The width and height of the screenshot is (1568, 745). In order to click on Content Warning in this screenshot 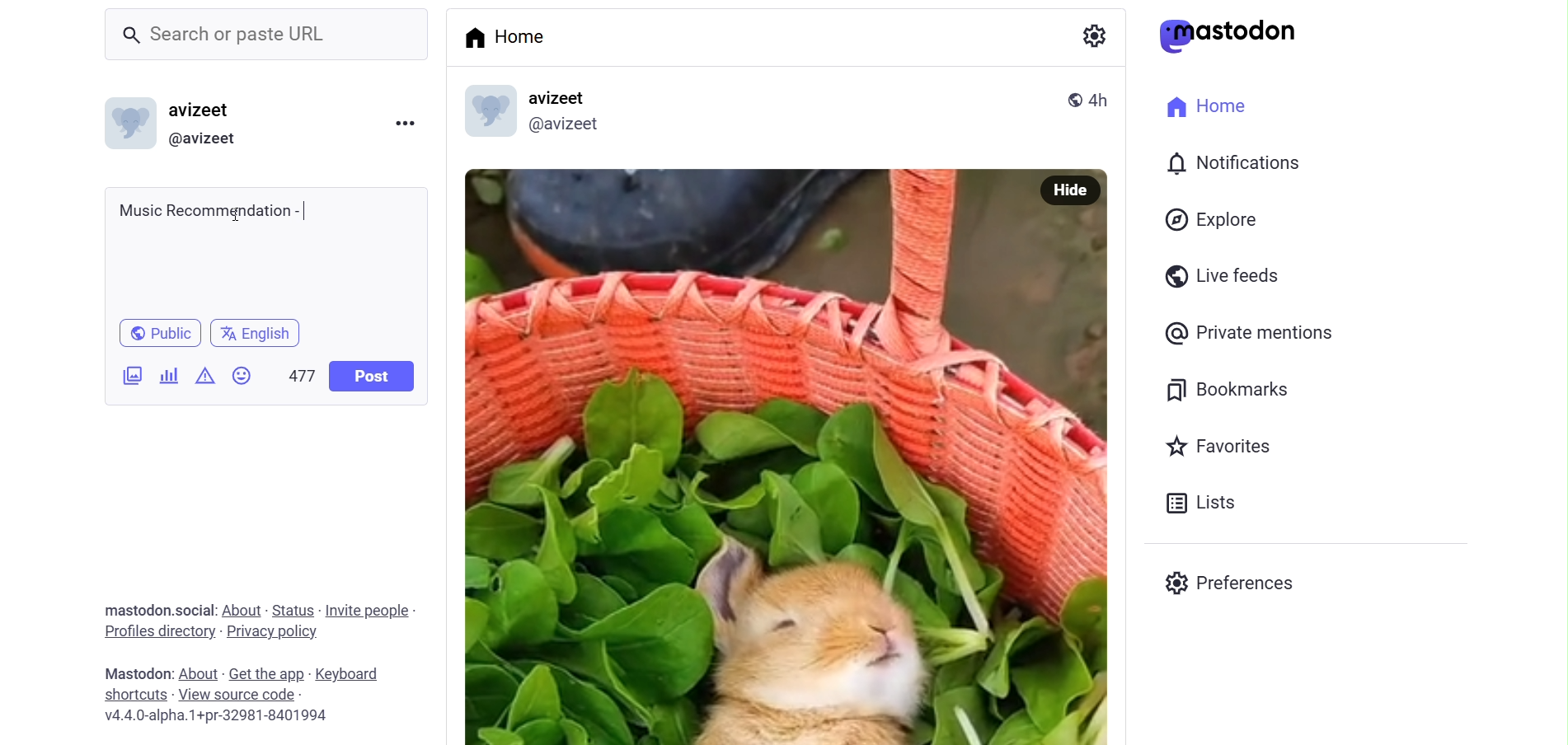, I will do `click(204, 376)`.